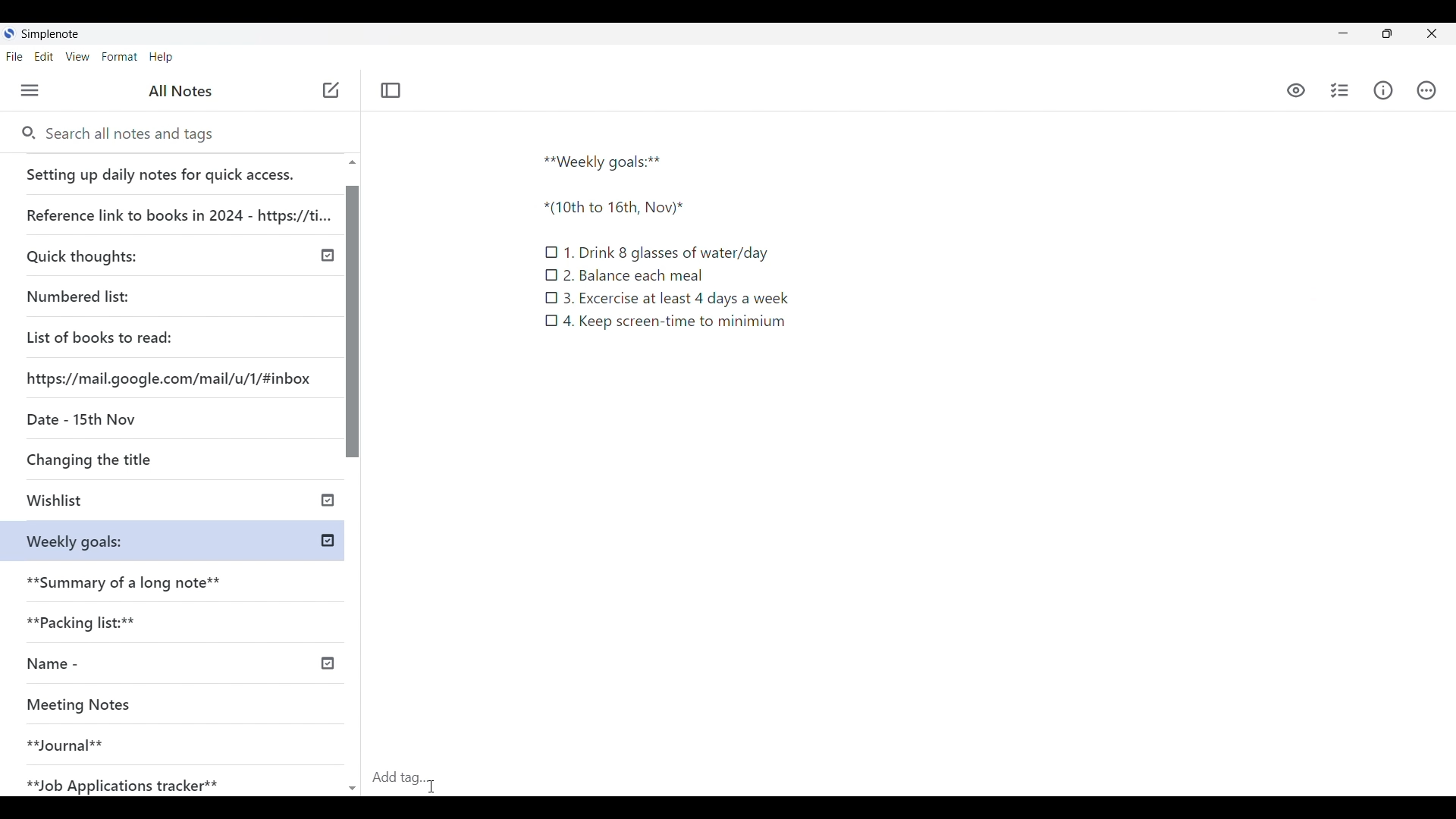 This screenshot has width=1456, height=819. What do you see at coordinates (665, 240) in the screenshot?
I see `Text in current note` at bounding box center [665, 240].